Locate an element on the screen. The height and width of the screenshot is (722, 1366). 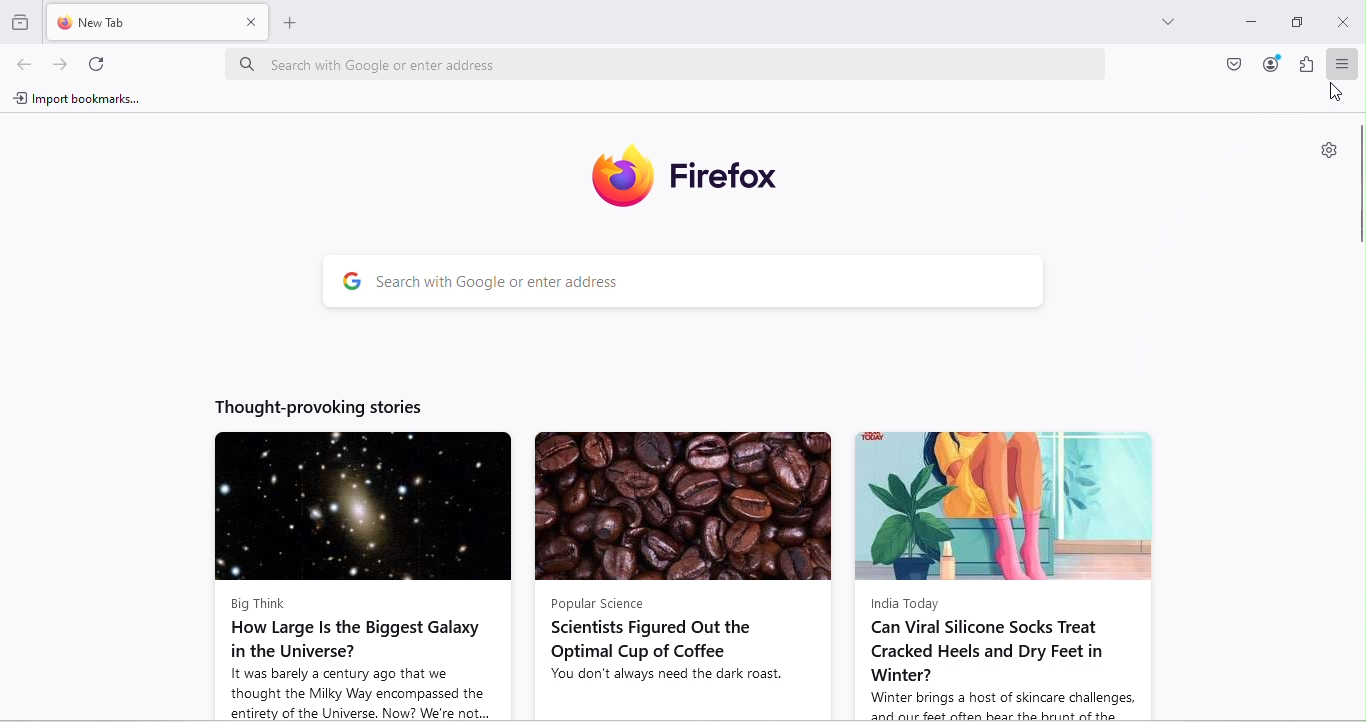
Firefox is located at coordinates (689, 172).